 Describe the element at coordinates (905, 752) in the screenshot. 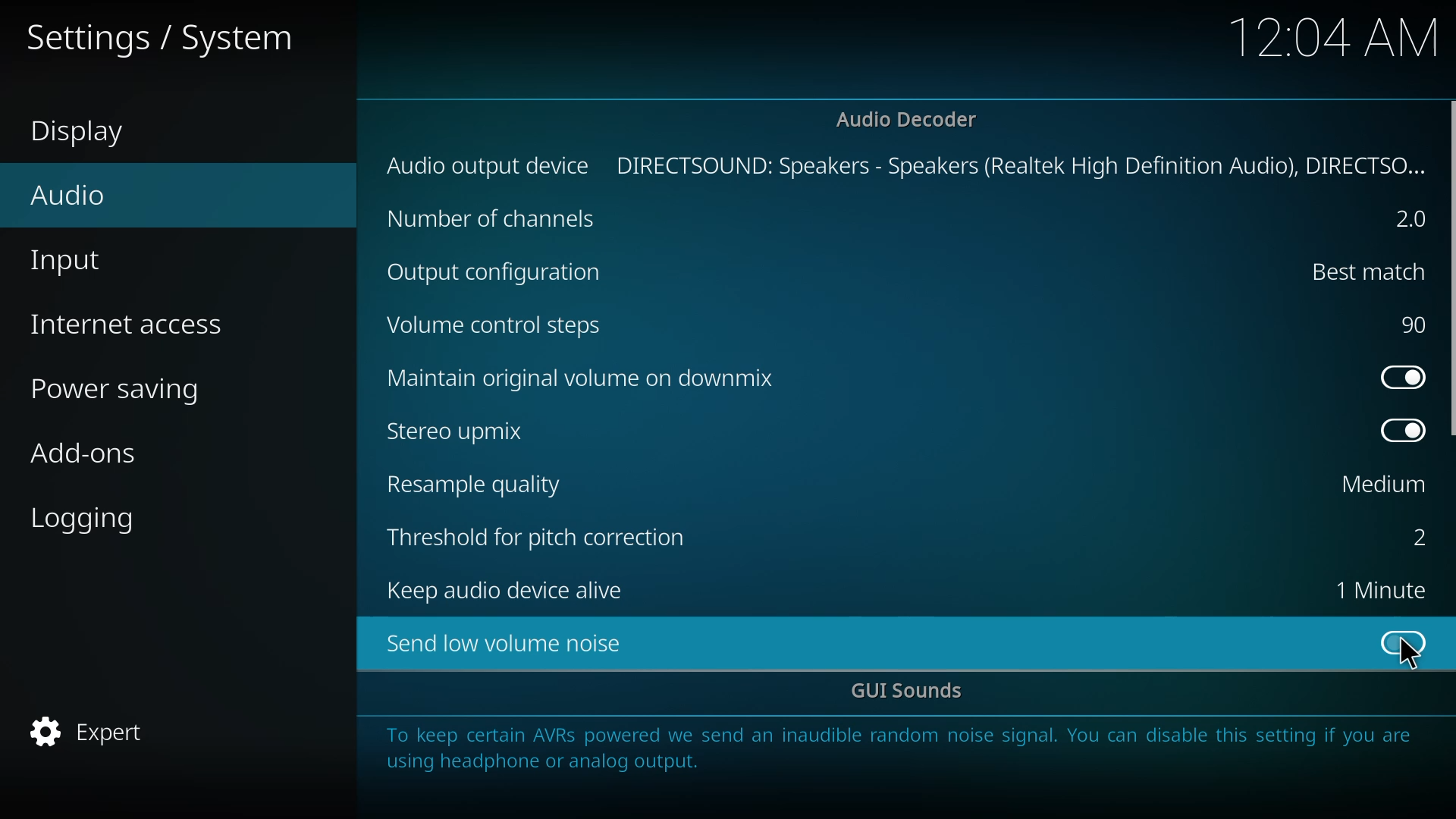

I see `info` at that location.